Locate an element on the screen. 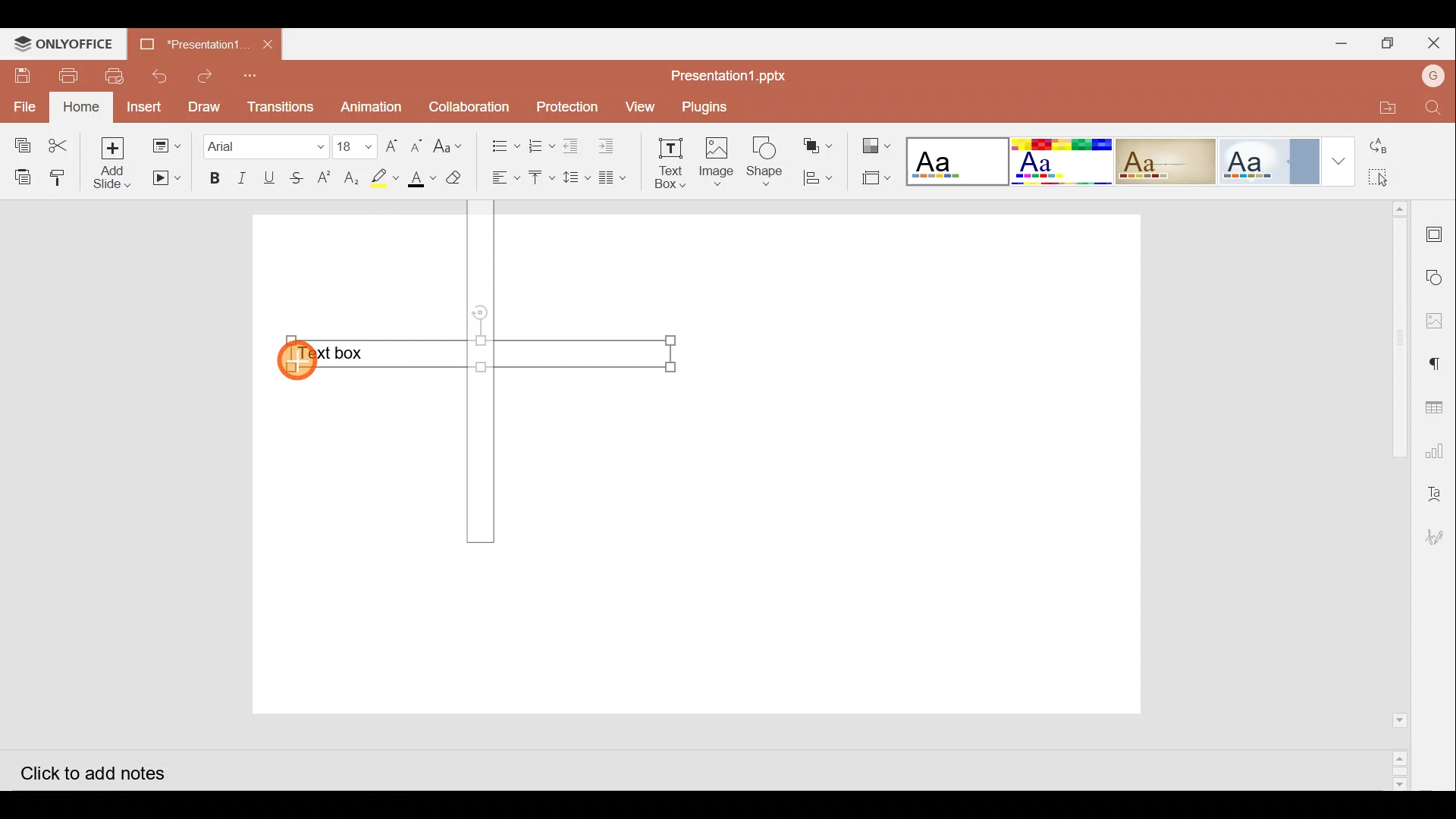 The image size is (1456, 819). Print file is located at coordinates (62, 75).